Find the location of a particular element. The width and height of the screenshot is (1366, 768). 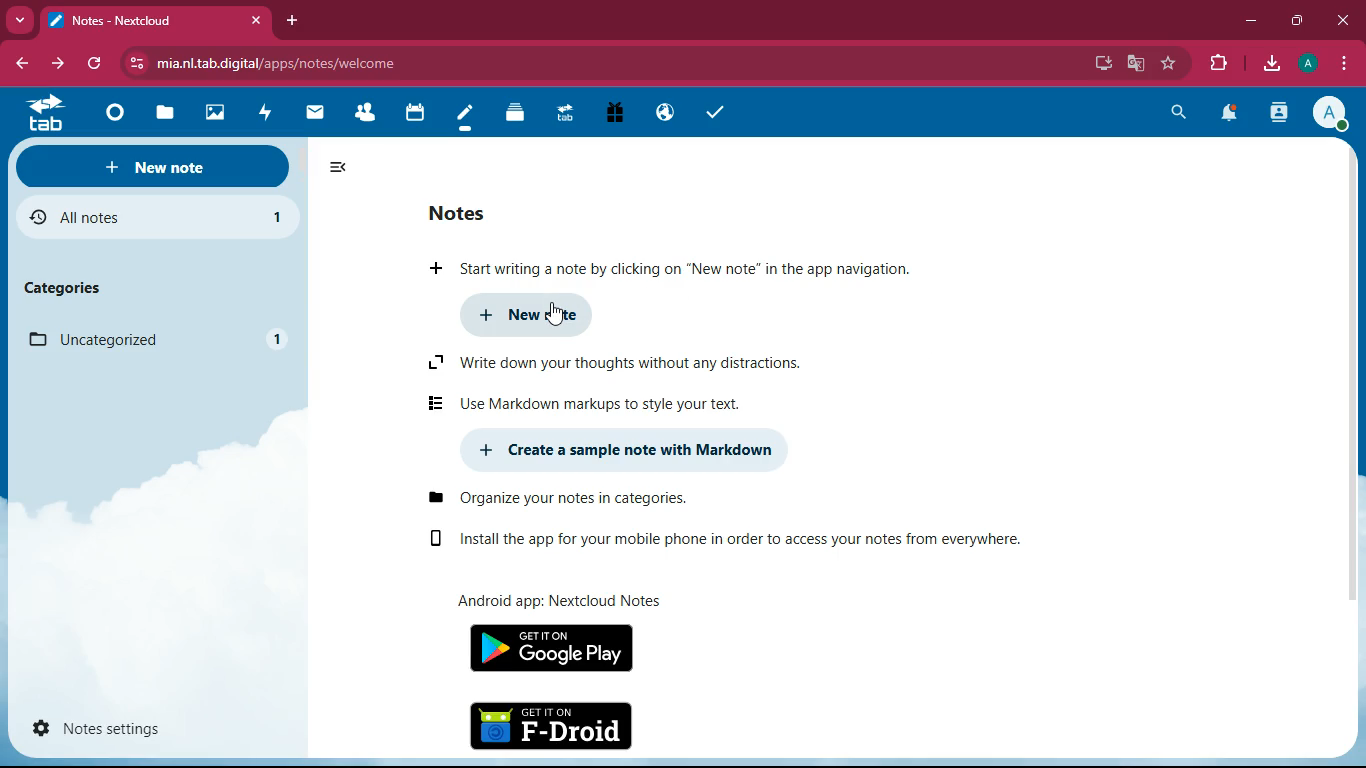

install is located at coordinates (733, 540).